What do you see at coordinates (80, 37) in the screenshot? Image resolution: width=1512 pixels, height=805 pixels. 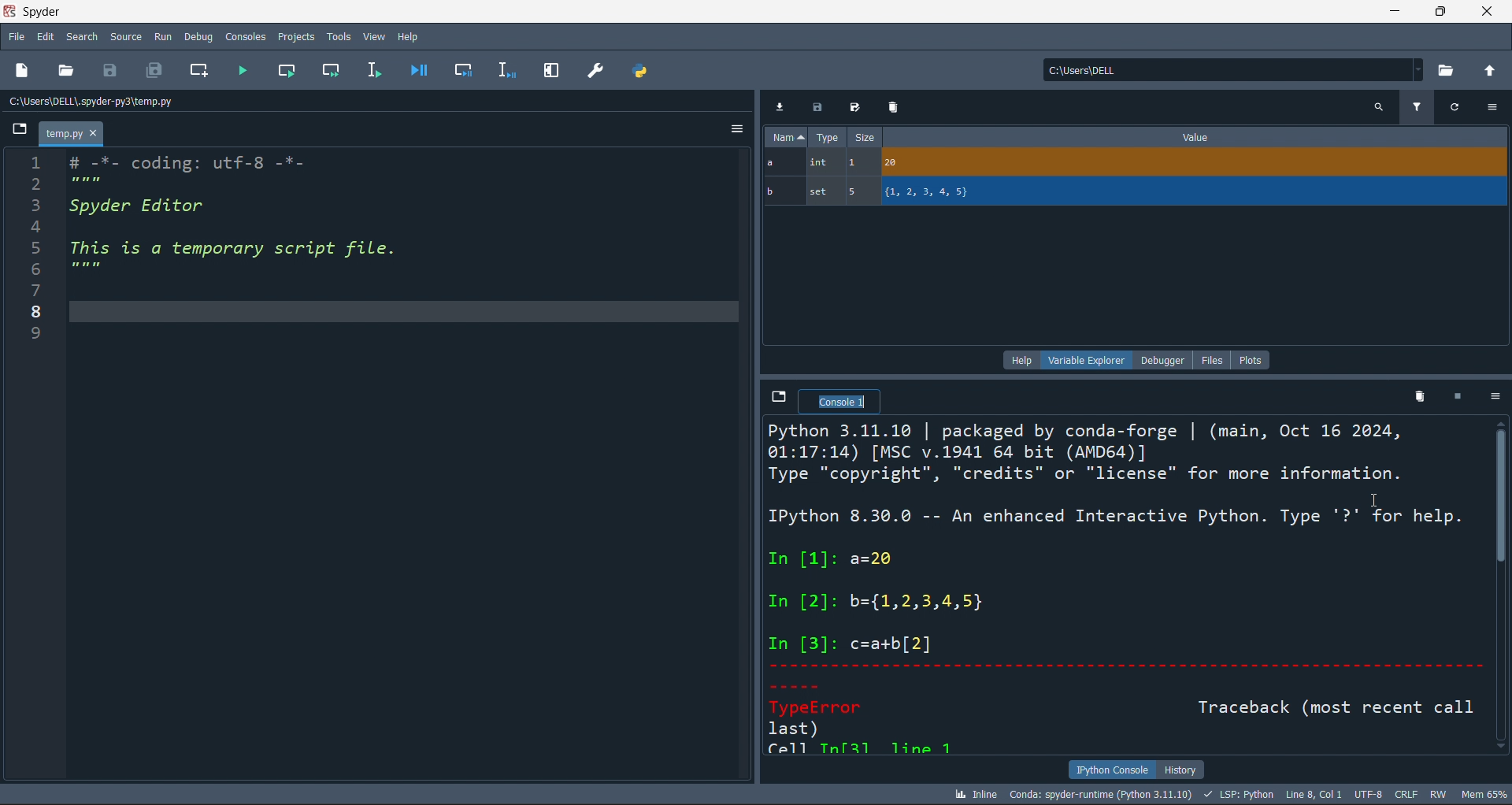 I see `search` at bounding box center [80, 37].